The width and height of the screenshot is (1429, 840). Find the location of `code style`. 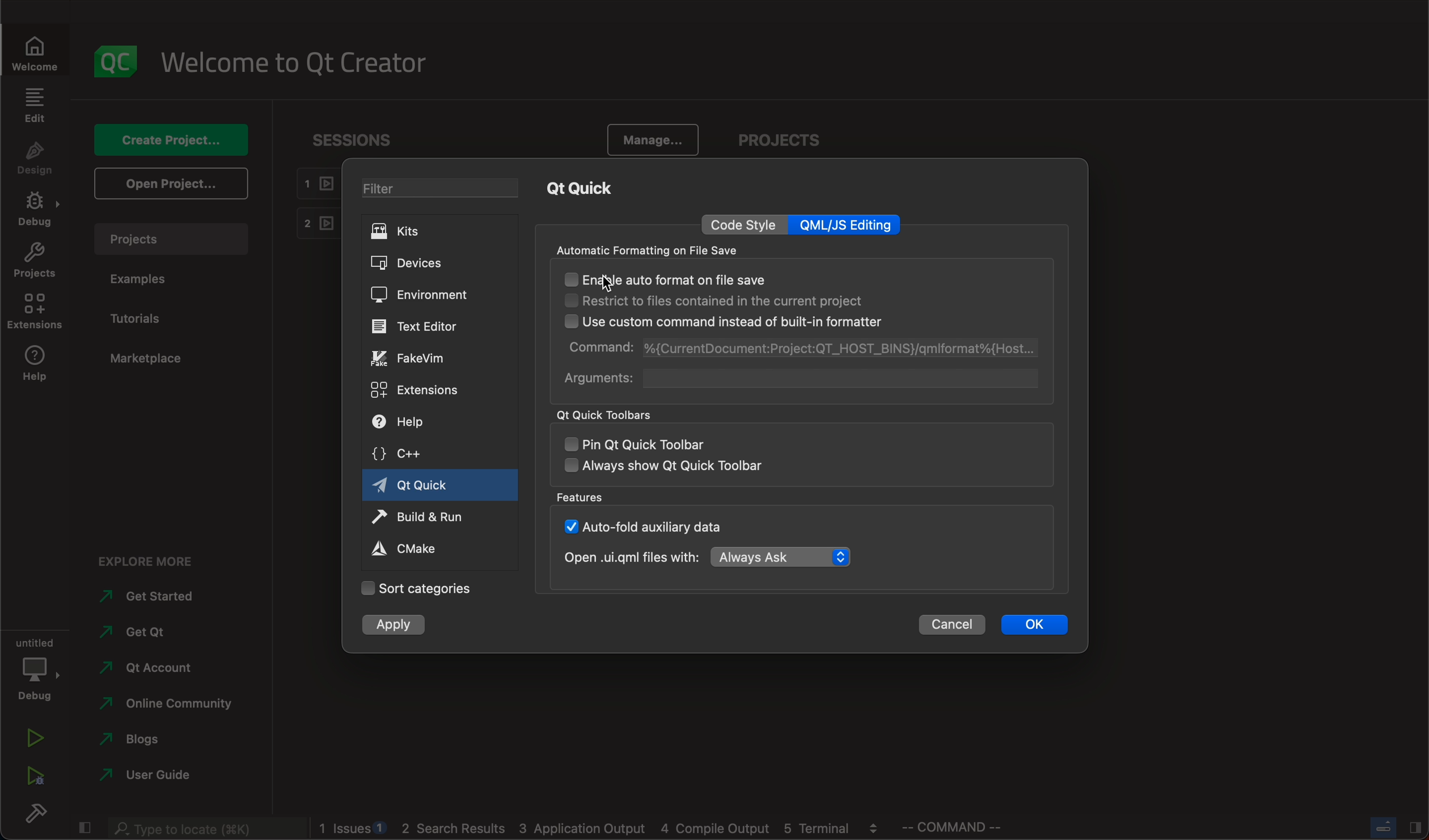

code style is located at coordinates (745, 226).